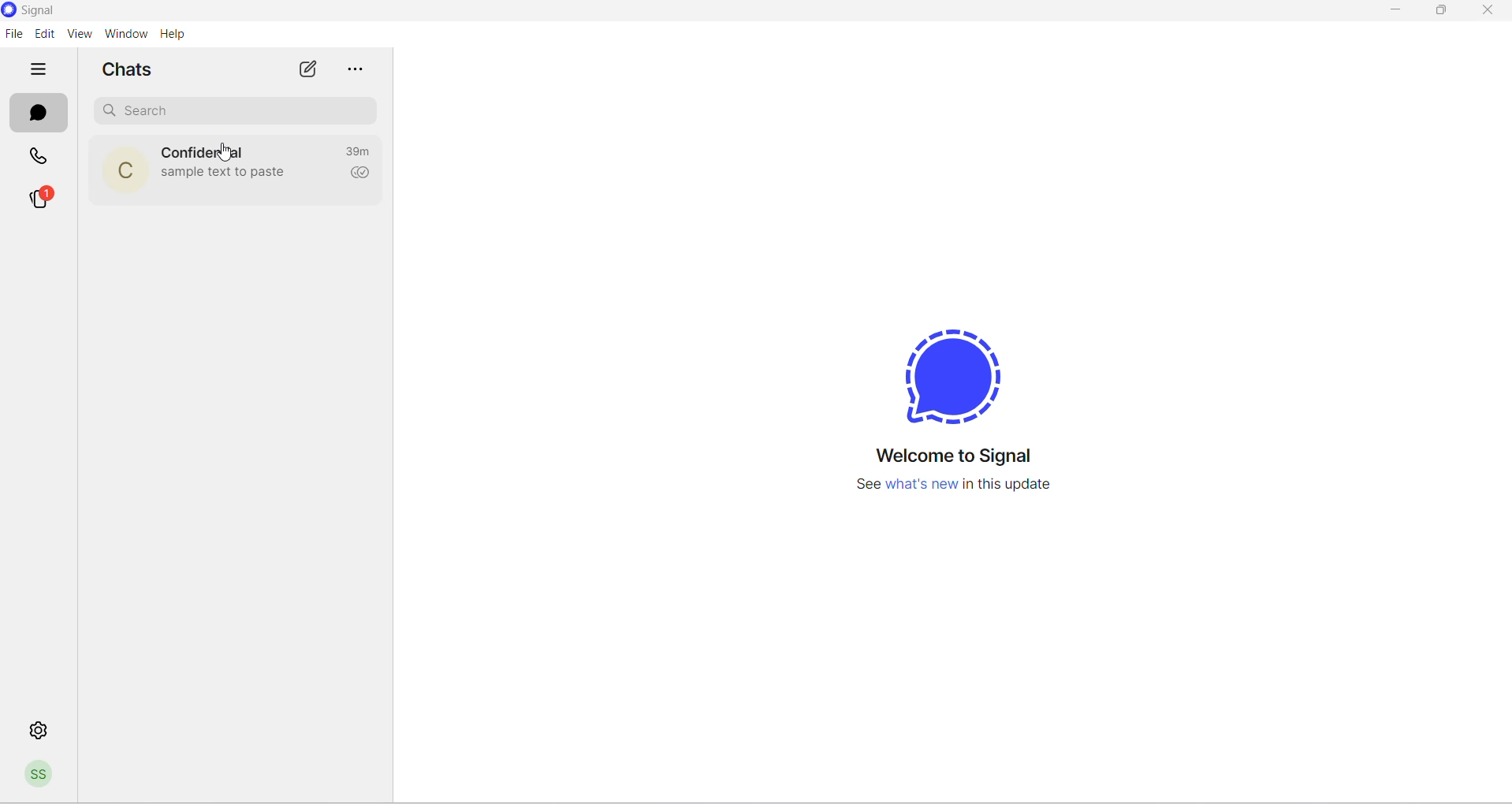 This screenshot has width=1512, height=804. I want to click on calls, so click(43, 158).